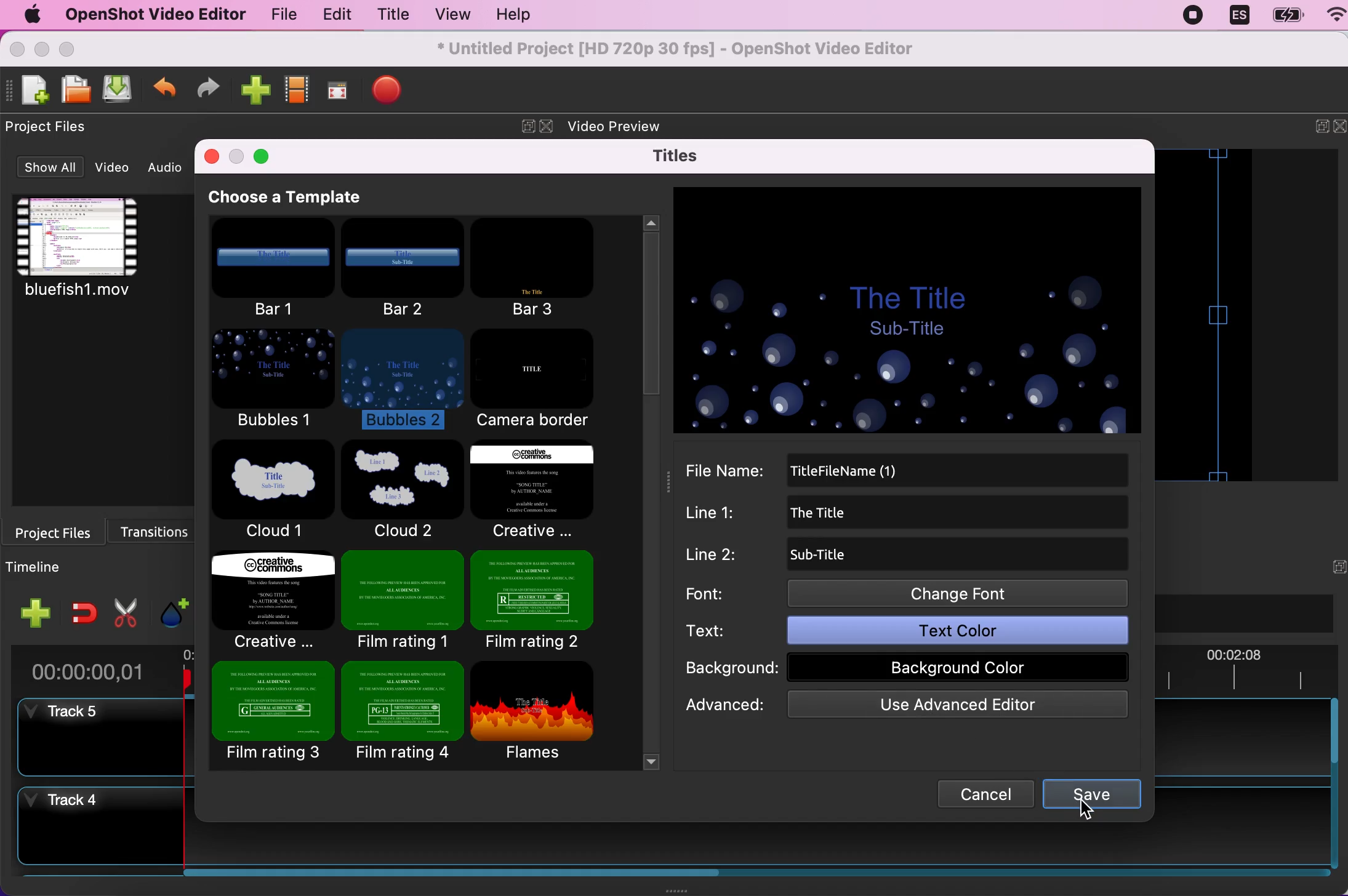 This screenshot has width=1348, height=896. I want to click on video preview, so click(628, 123).